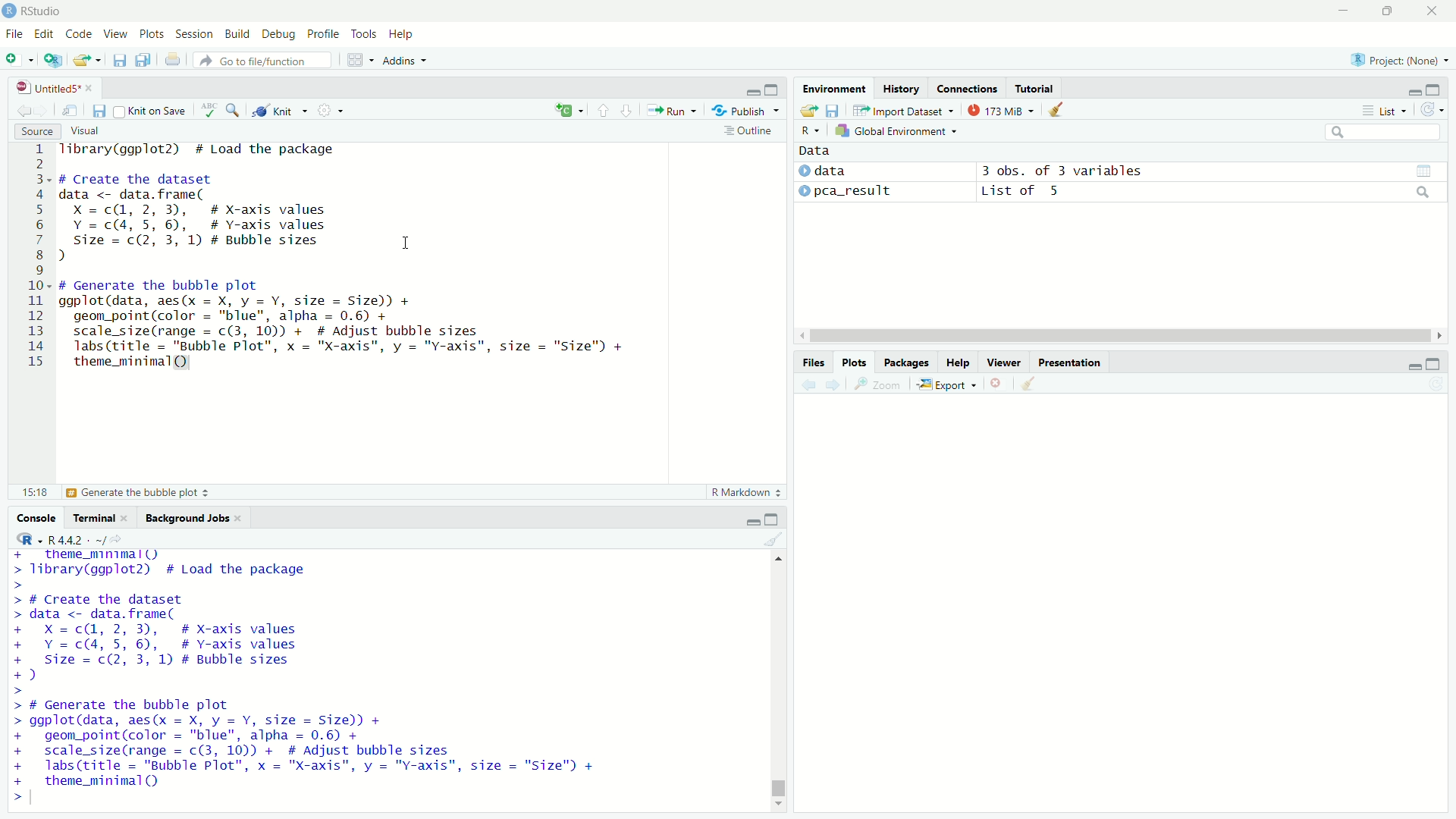 The width and height of the screenshot is (1456, 819). Describe the element at coordinates (101, 516) in the screenshot. I see `terminal` at that location.